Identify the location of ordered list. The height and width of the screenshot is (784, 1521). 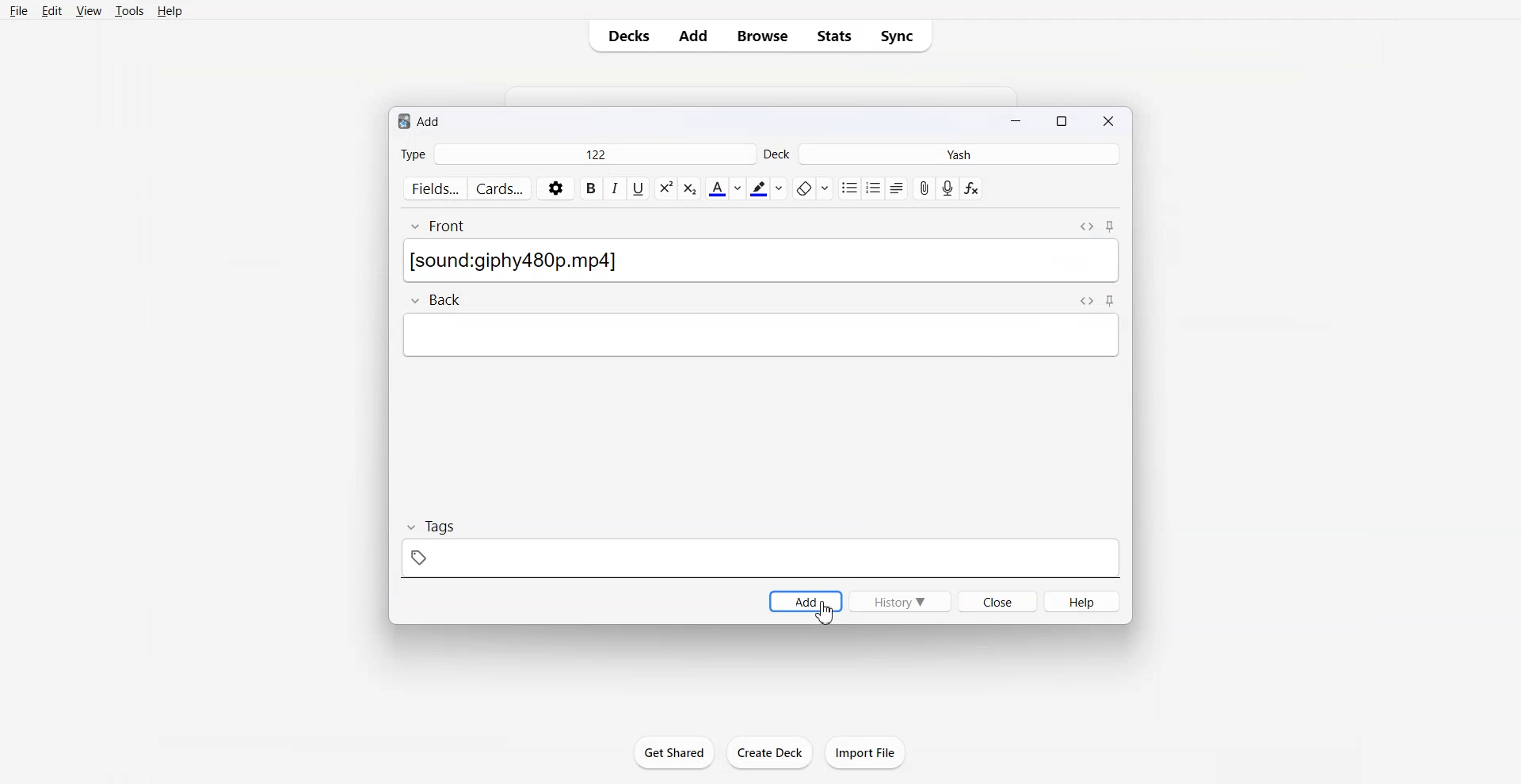
(875, 188).